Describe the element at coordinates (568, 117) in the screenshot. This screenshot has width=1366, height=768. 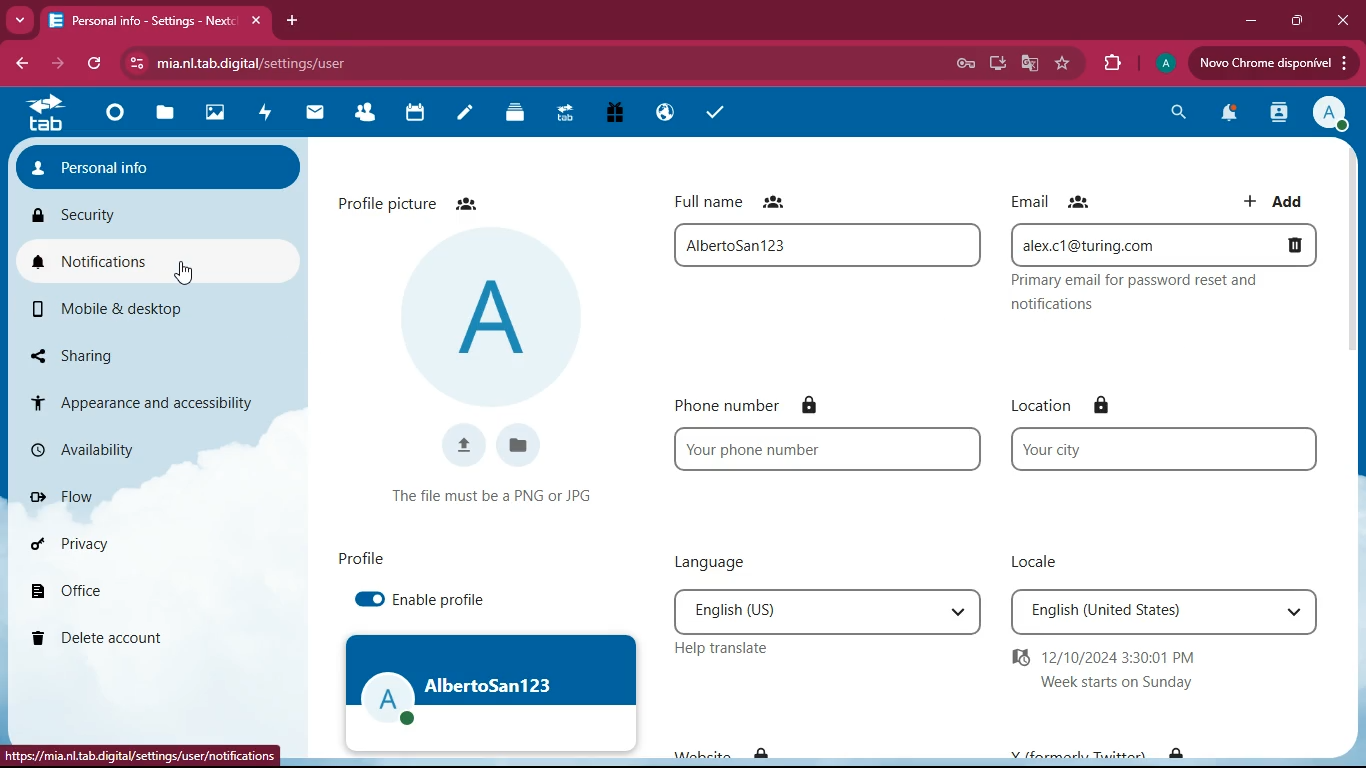
I see `tab` at that location.